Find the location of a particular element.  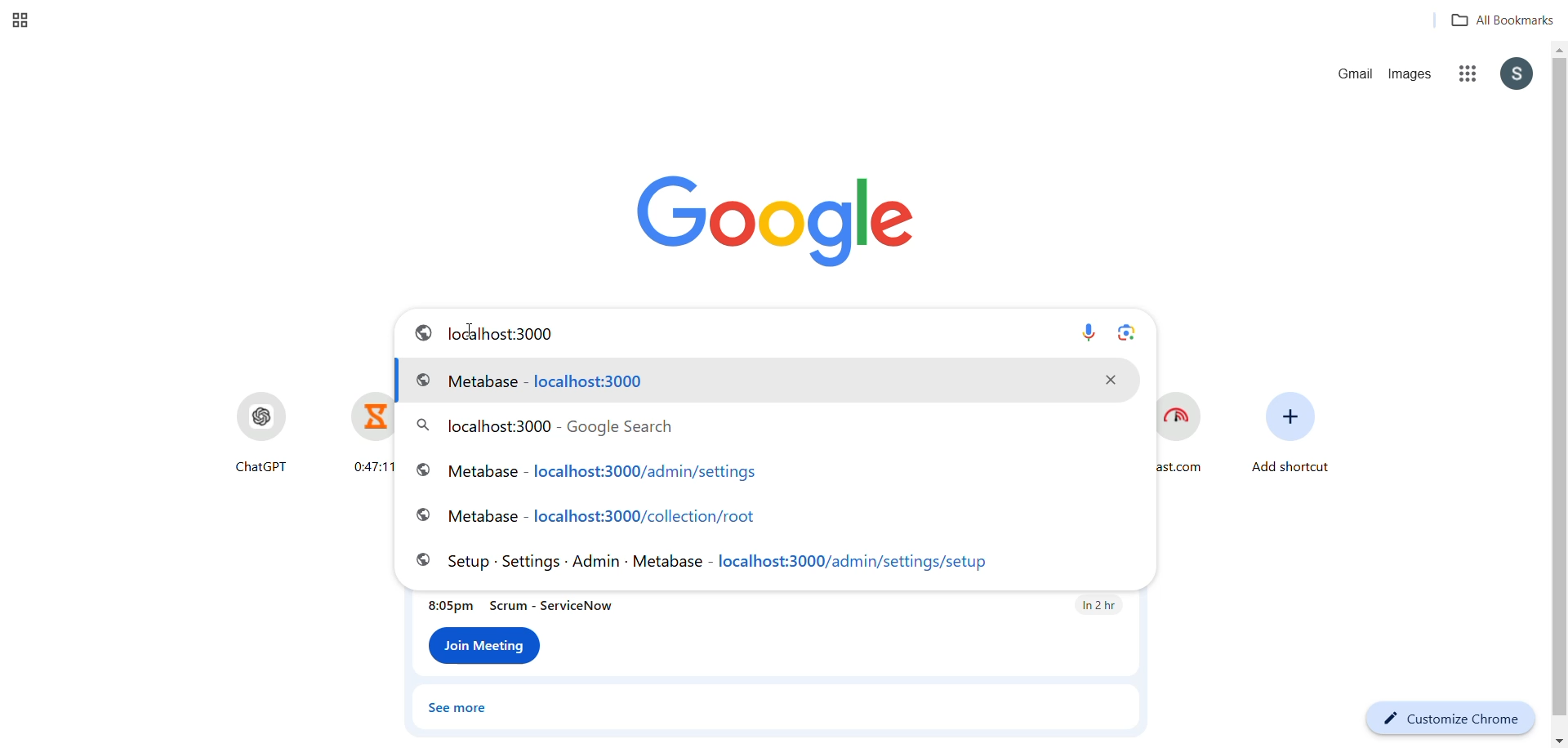

move up is located at coordinates (1558, 50).